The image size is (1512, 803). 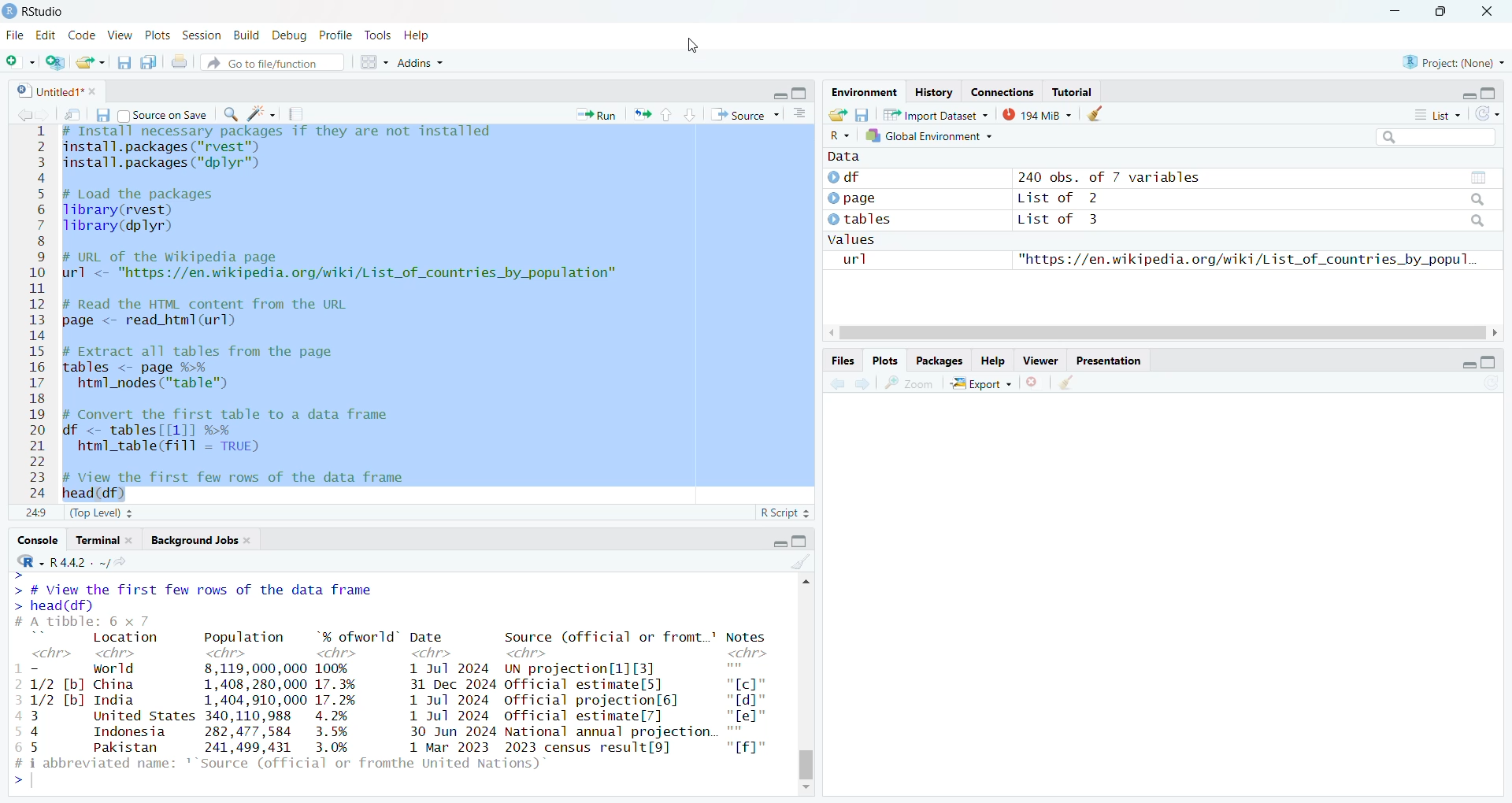 What do you see at coordinates (1489, 362) in the screenshot?
I see `maximize` at bounding box center [1489, 362].